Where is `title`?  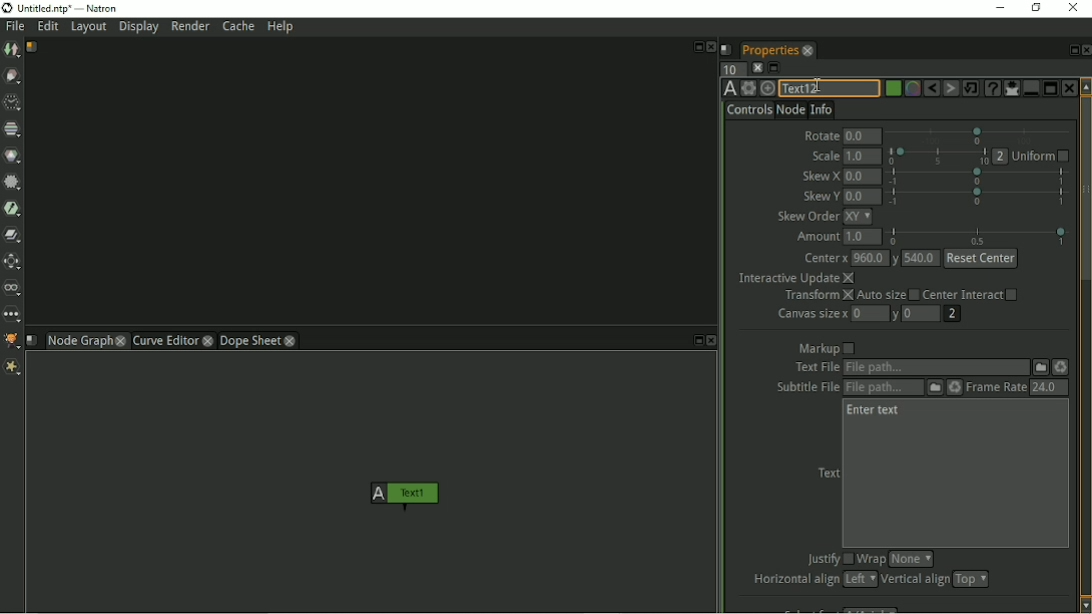 title is located at coordinates (79, 8).